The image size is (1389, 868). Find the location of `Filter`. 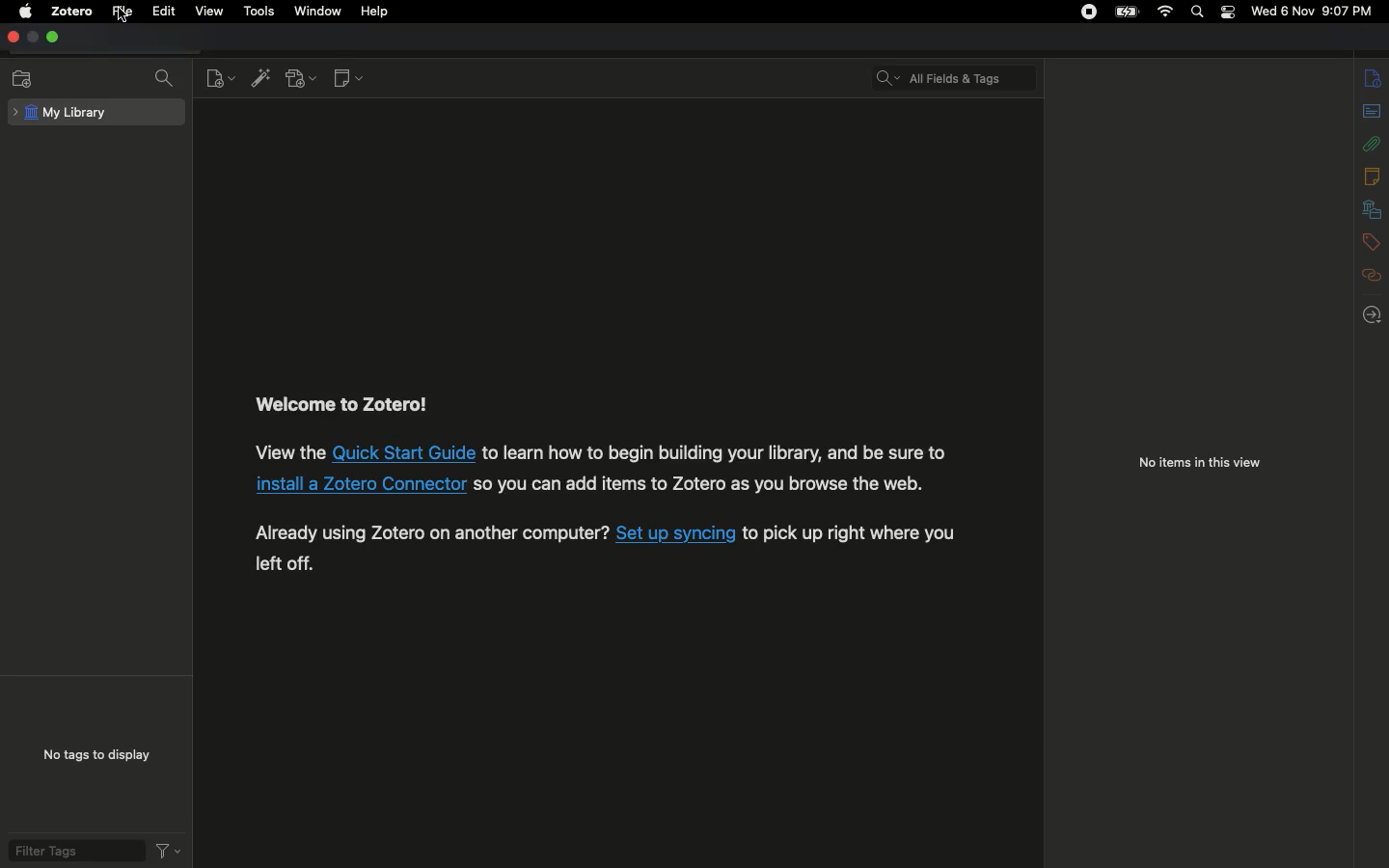

Filter is located at coordinates (168, 850).